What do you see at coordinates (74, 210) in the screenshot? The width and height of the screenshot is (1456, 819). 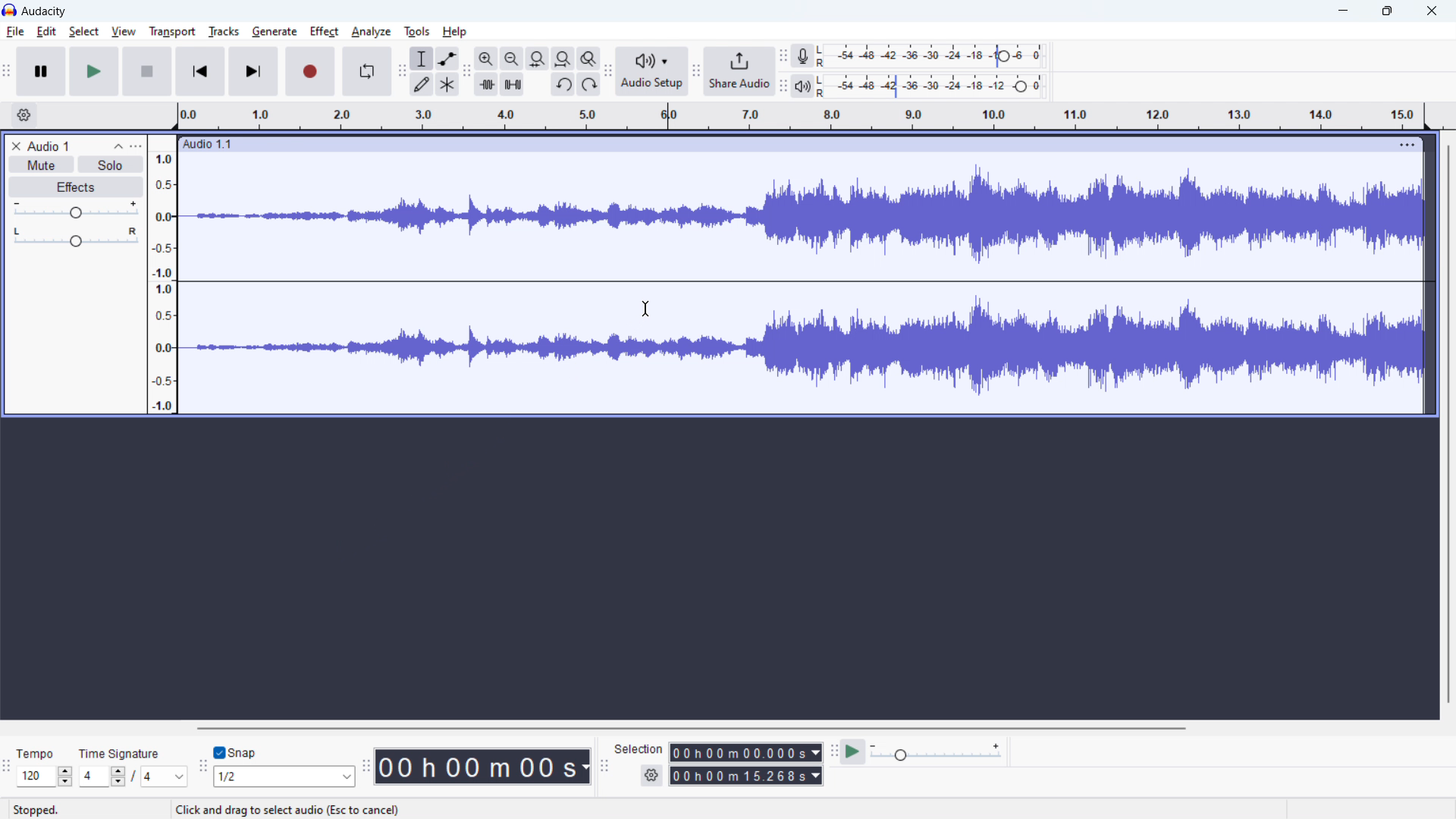 I see `volume` at bounding box center [74, 210].